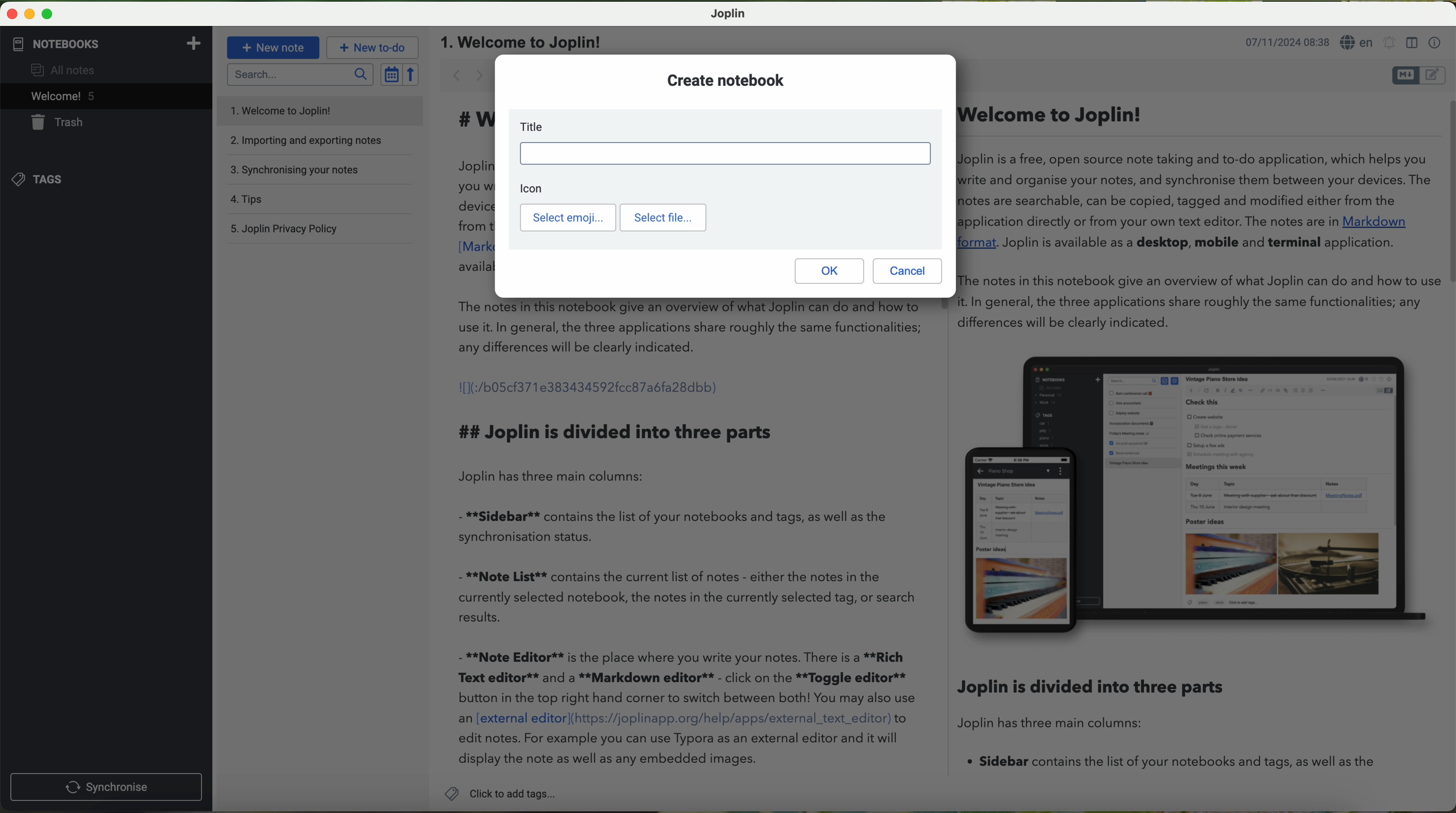  Describe the element at coordinates (47, 15) in the screenshot. I see `maximize` at that location.